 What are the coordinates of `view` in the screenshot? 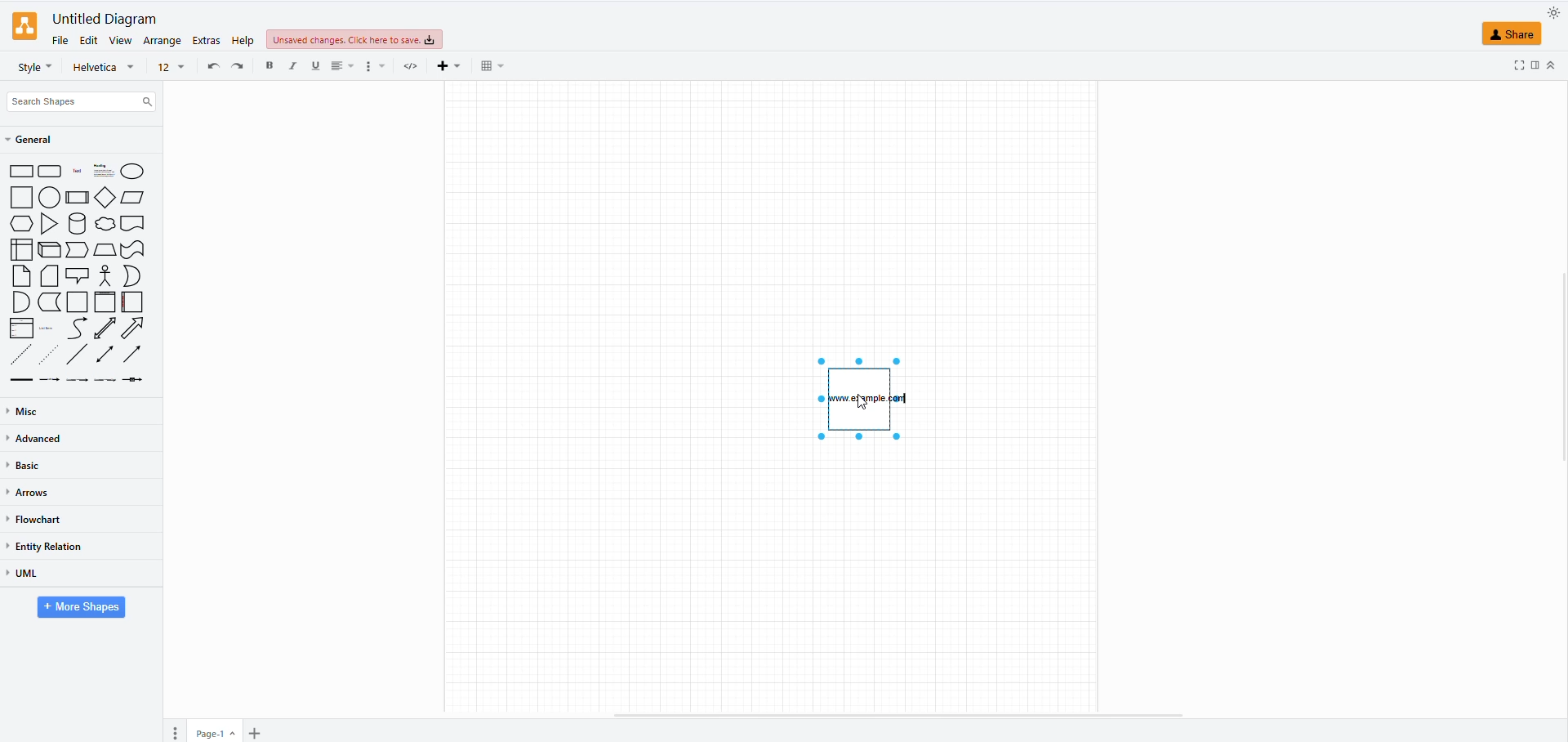 It's located at (120, 41).